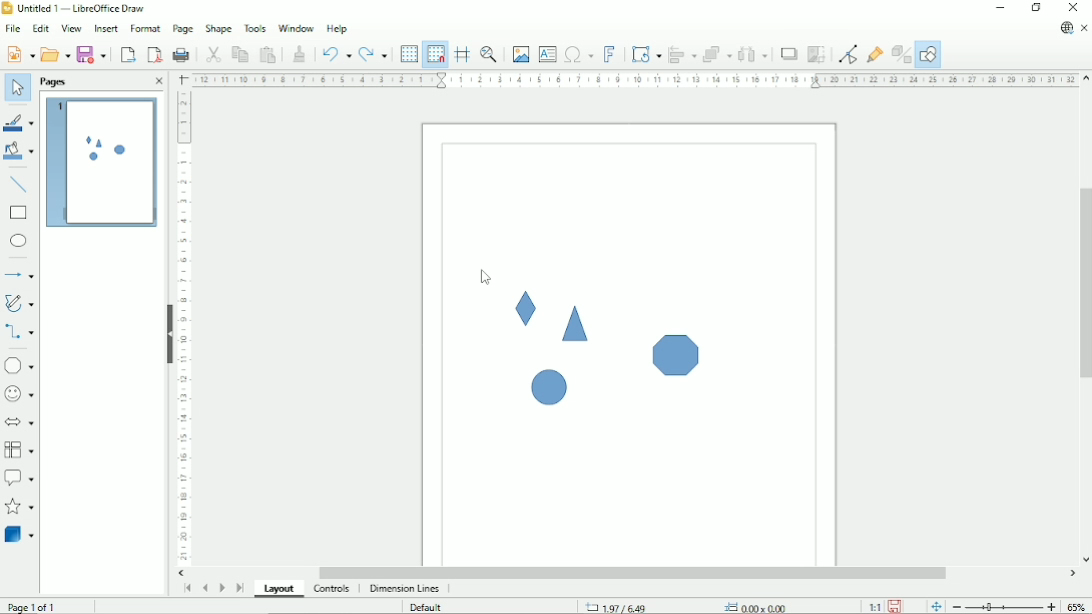  I want to click on Shape, so click(524, 309).